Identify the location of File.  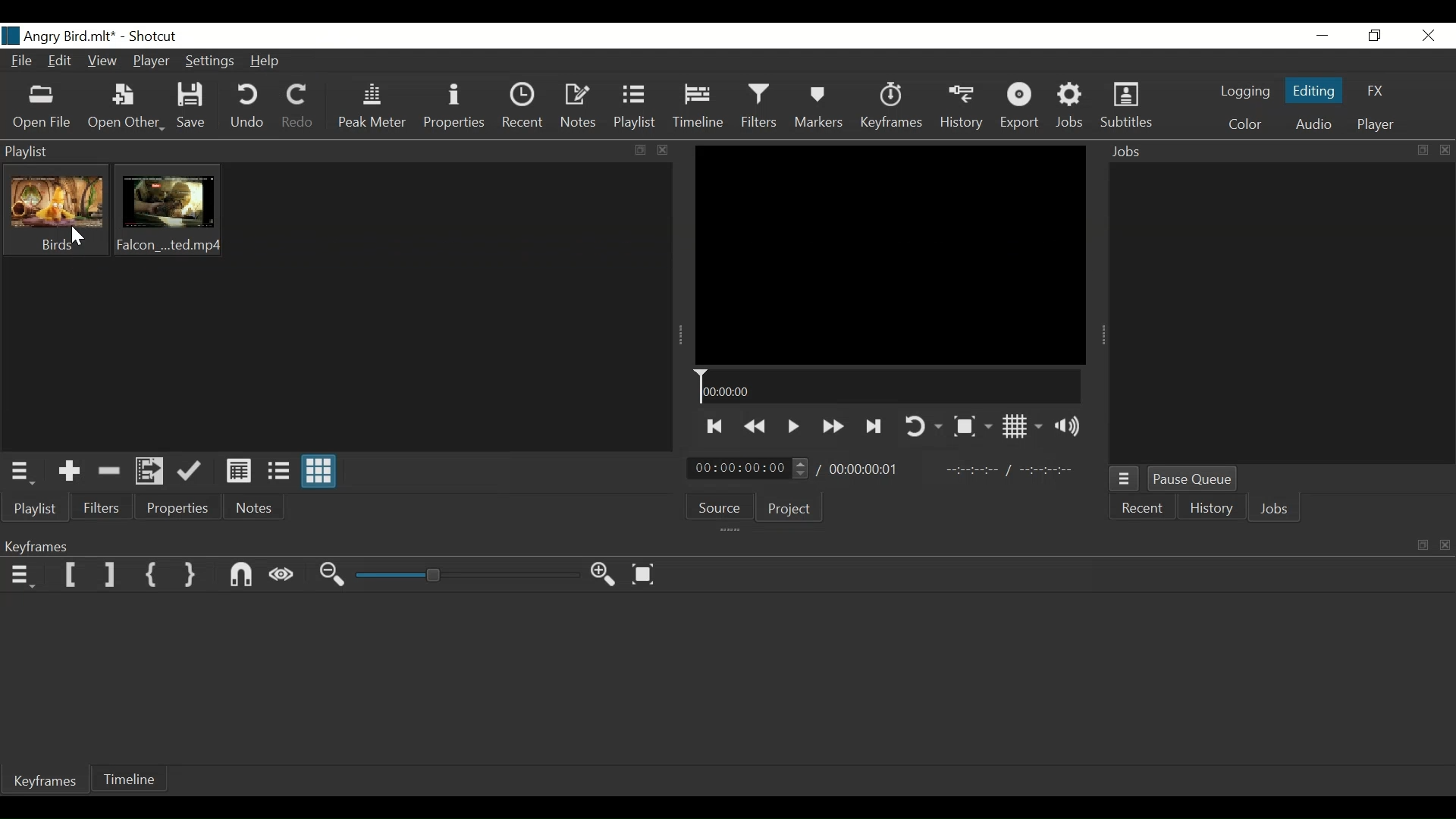
(22, 62).